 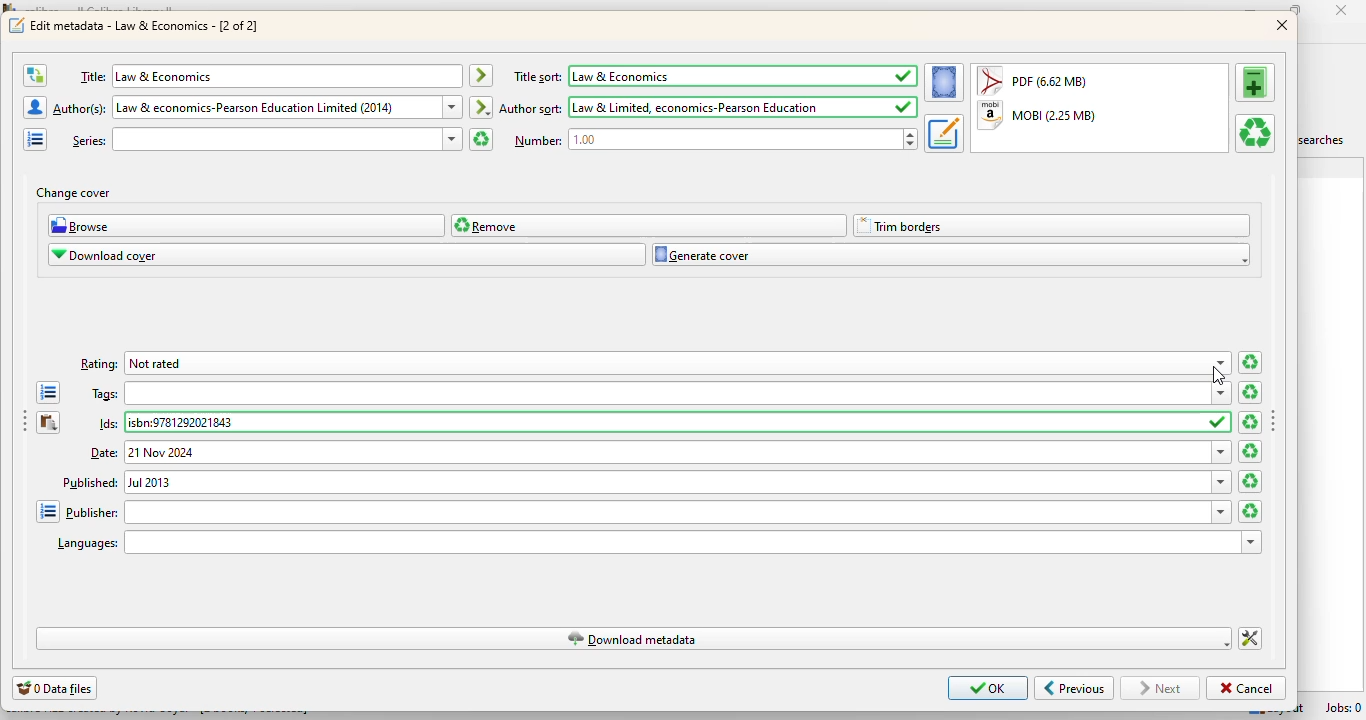 I want to click on trim borders, so click(x=1053, y=226).